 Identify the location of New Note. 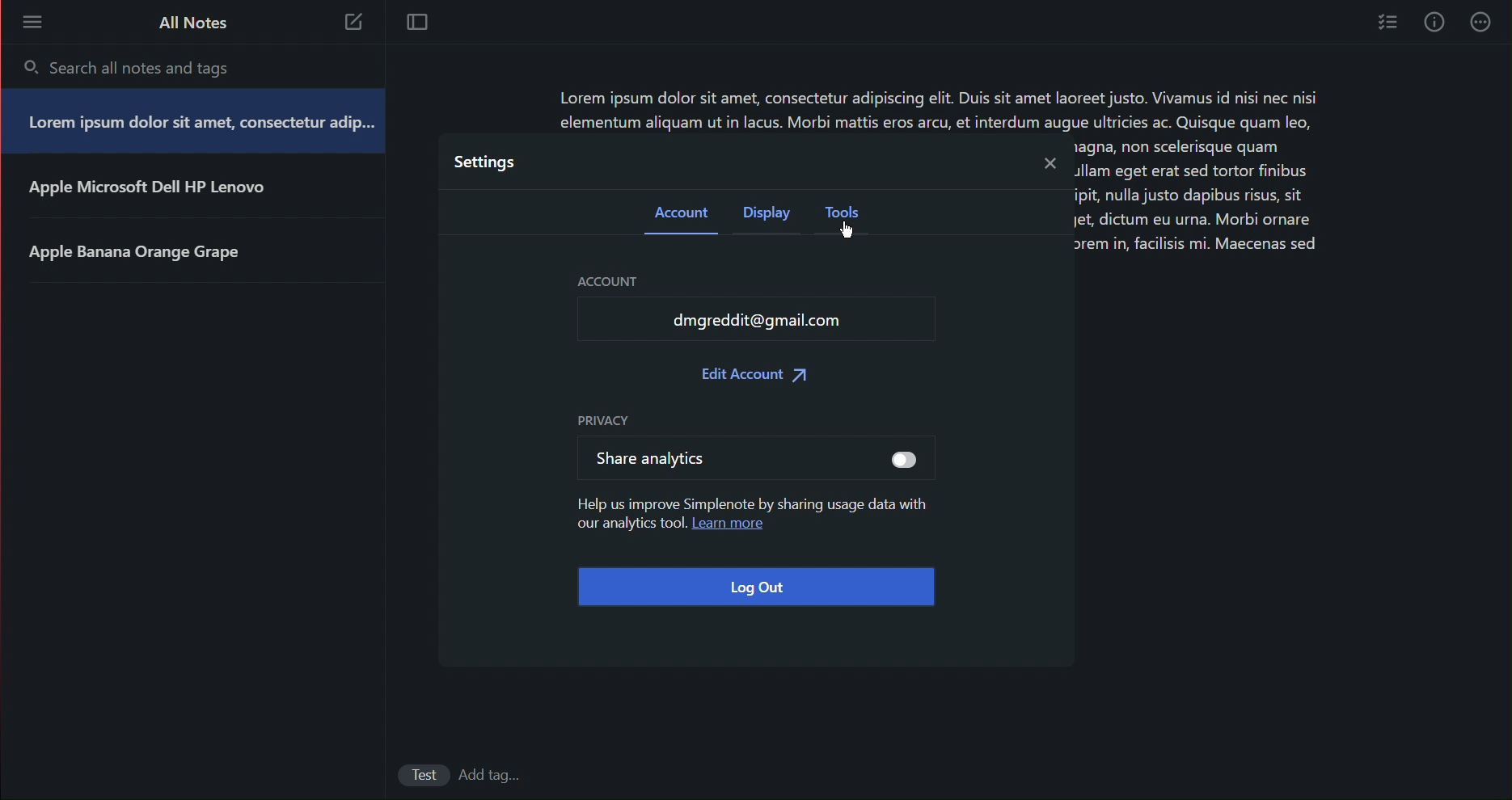
(356, 23).